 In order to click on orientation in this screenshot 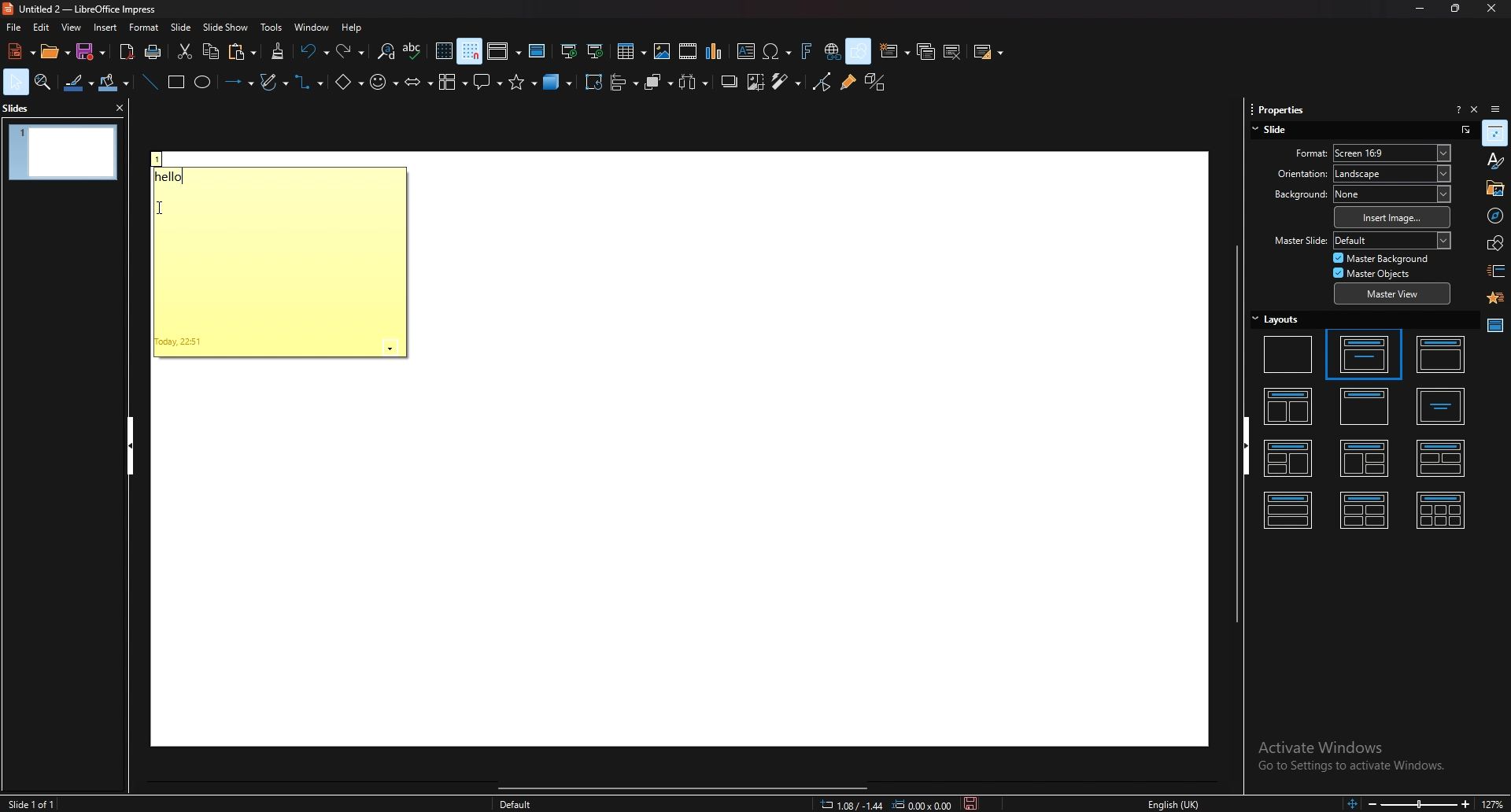, I will do `click(1291, 173)`.